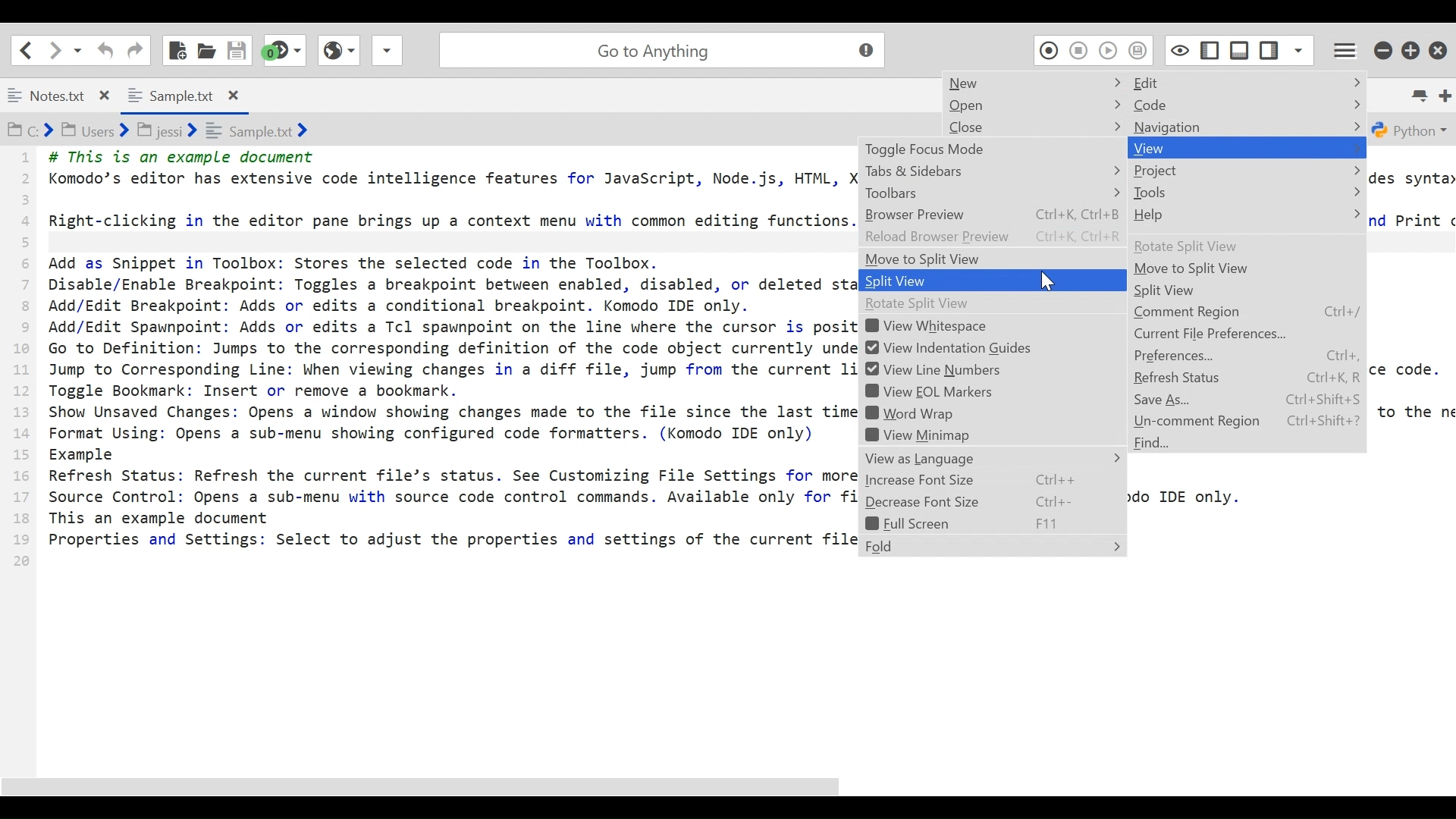 The width and height of the screenshot is (1456, 819). Describe the element at coordinates (1447, 93) in the screenshot. I see `Add new Tab` at that location.